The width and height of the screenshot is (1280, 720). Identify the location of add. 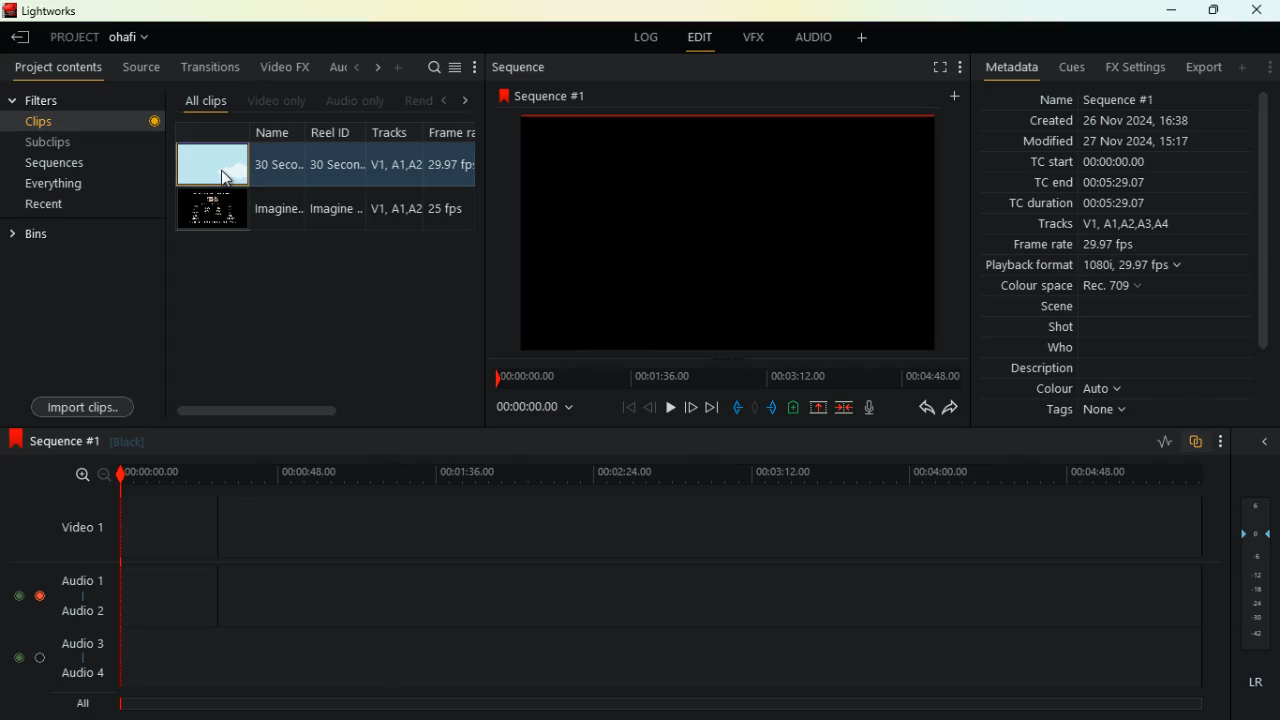
(399, 68).